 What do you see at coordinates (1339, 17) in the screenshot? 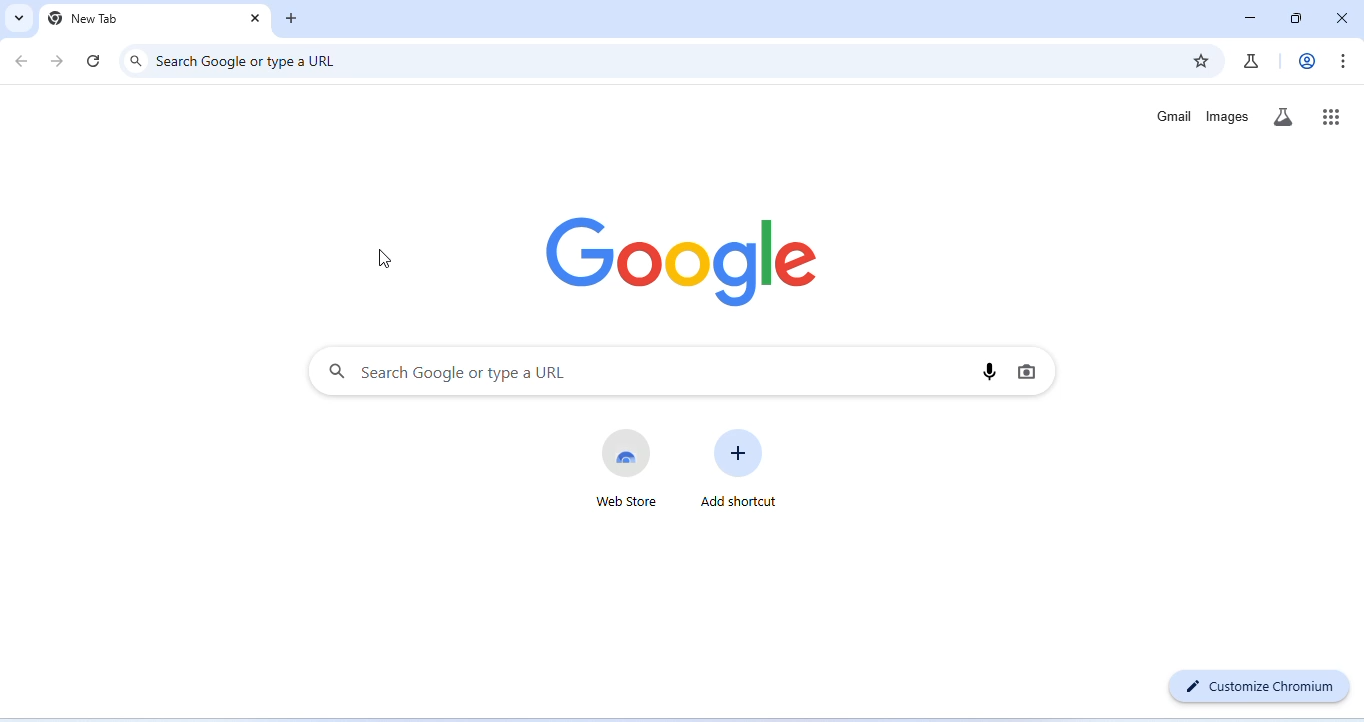
I see `close` at bounding box center [1339, 17].